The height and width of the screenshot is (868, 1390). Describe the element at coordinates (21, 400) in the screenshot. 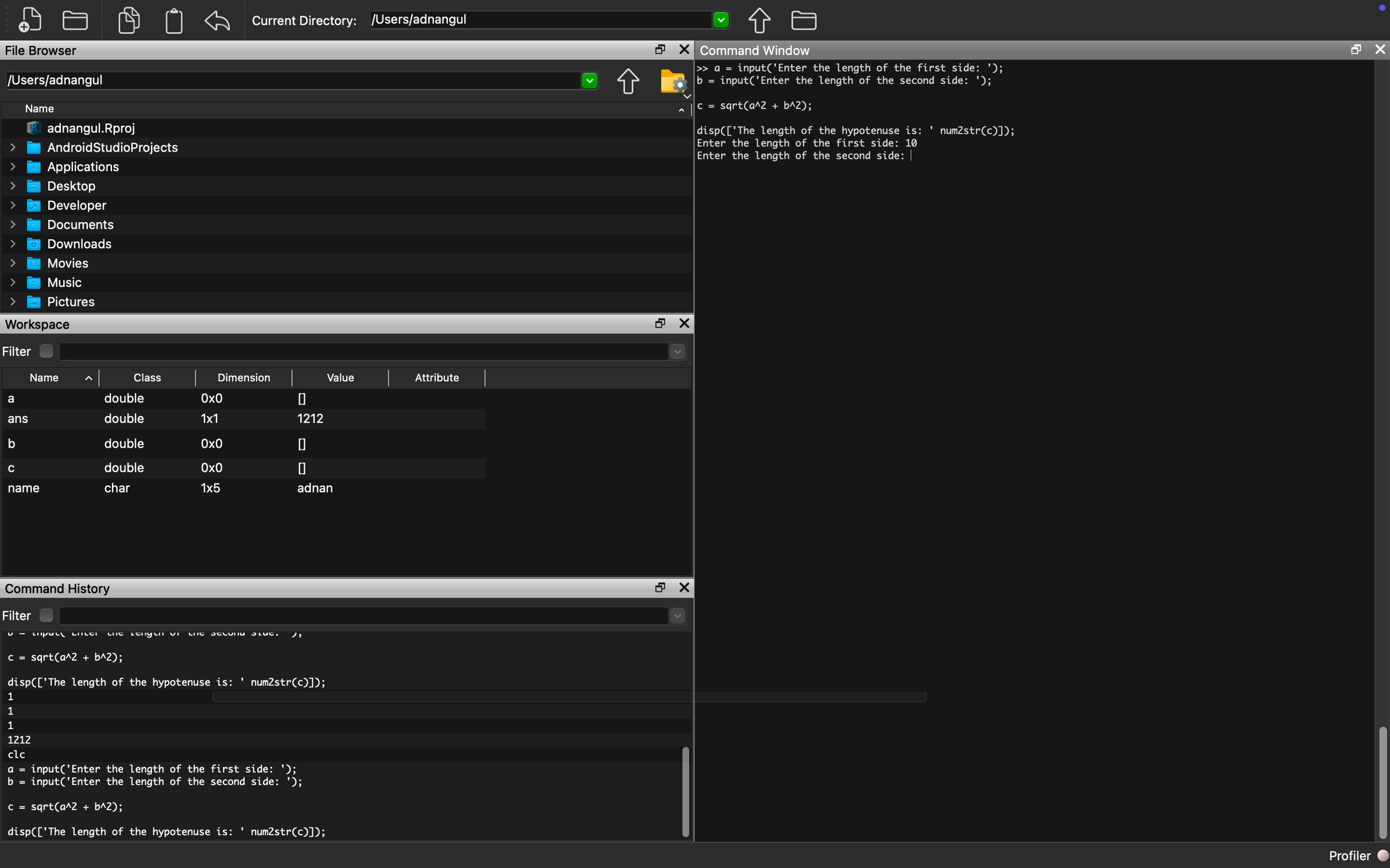

I see `a` at that location.